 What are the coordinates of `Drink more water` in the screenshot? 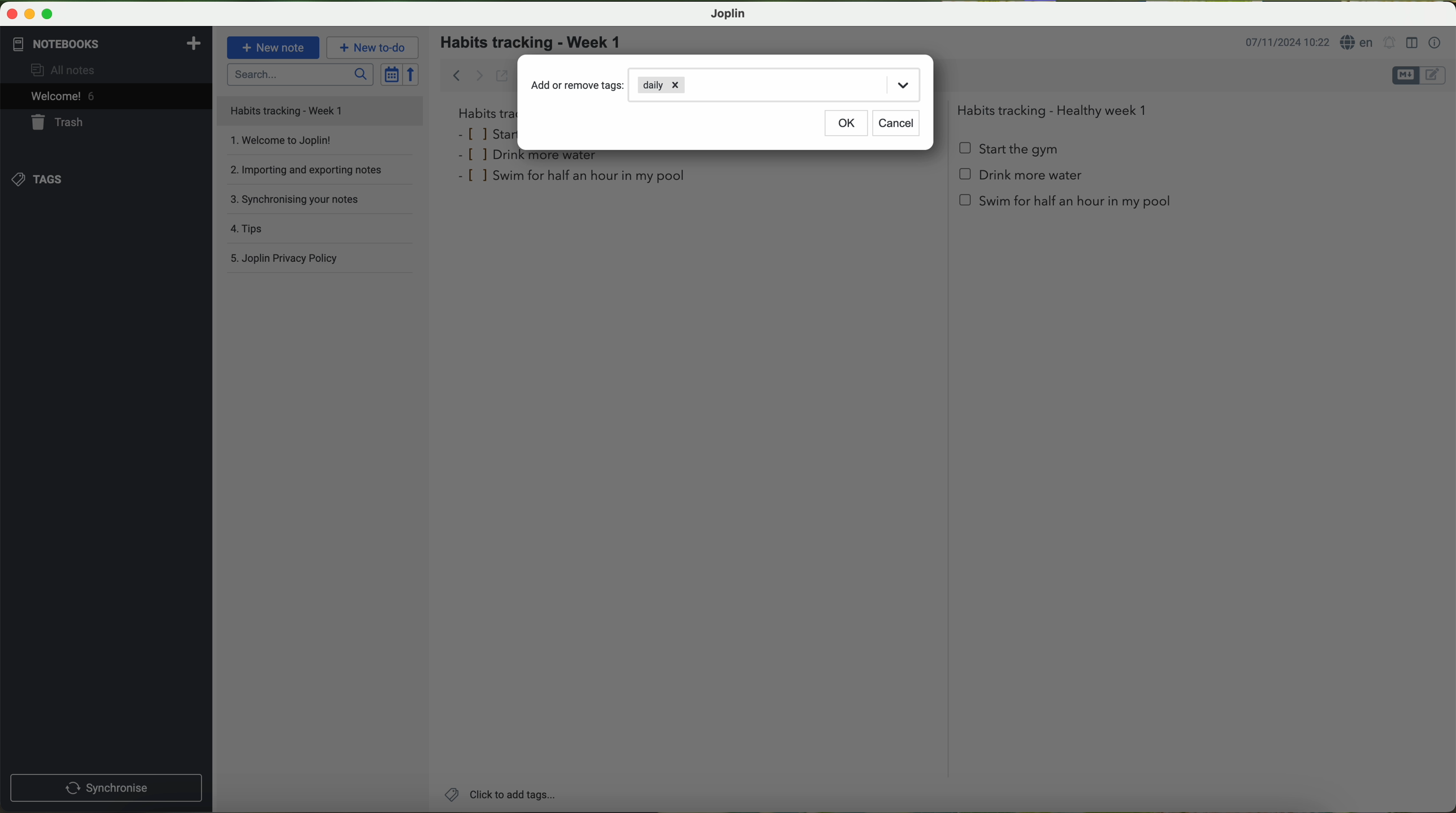 It's located at (1021, 179).